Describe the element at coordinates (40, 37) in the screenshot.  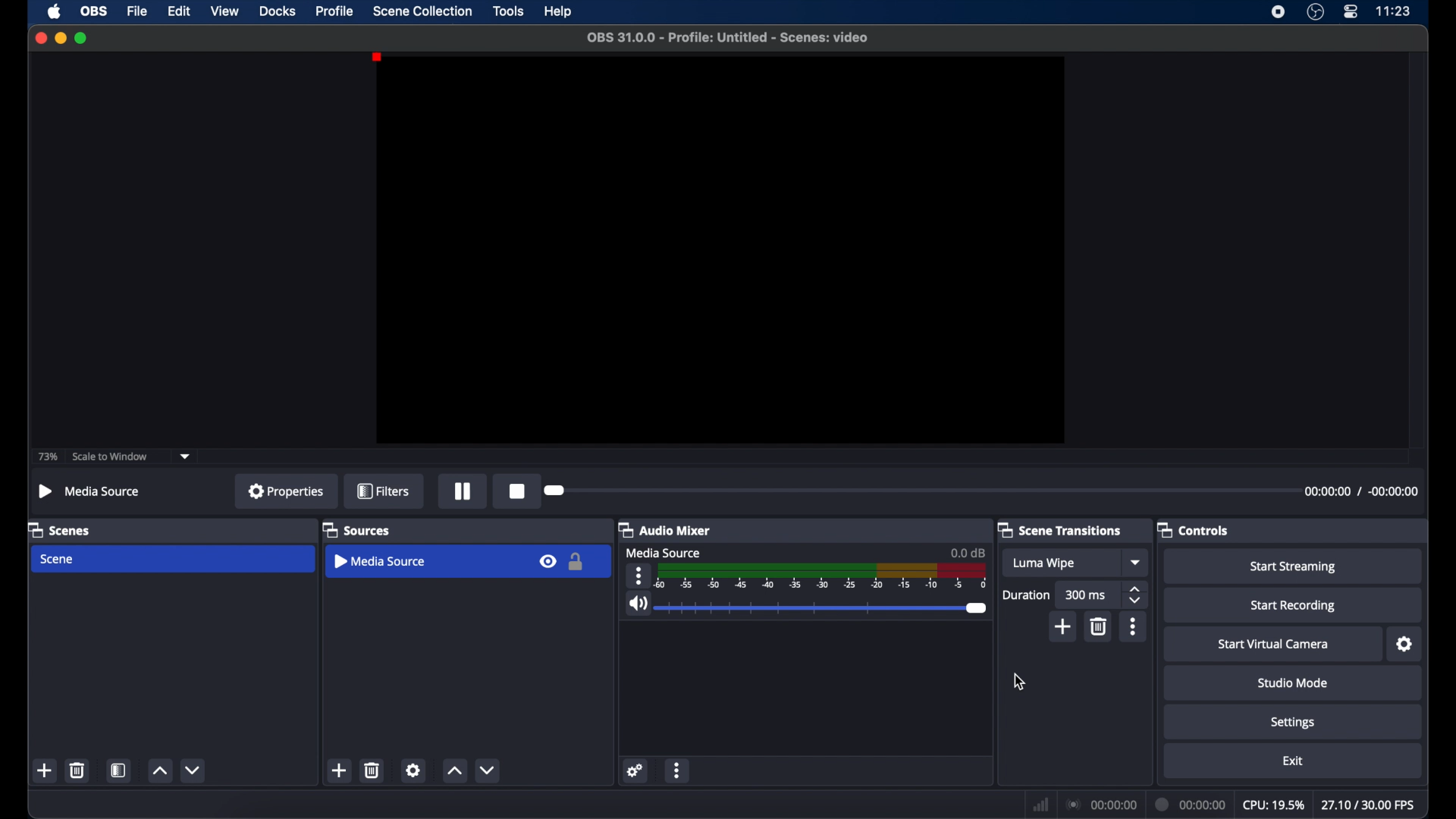
I see `close` at that location.